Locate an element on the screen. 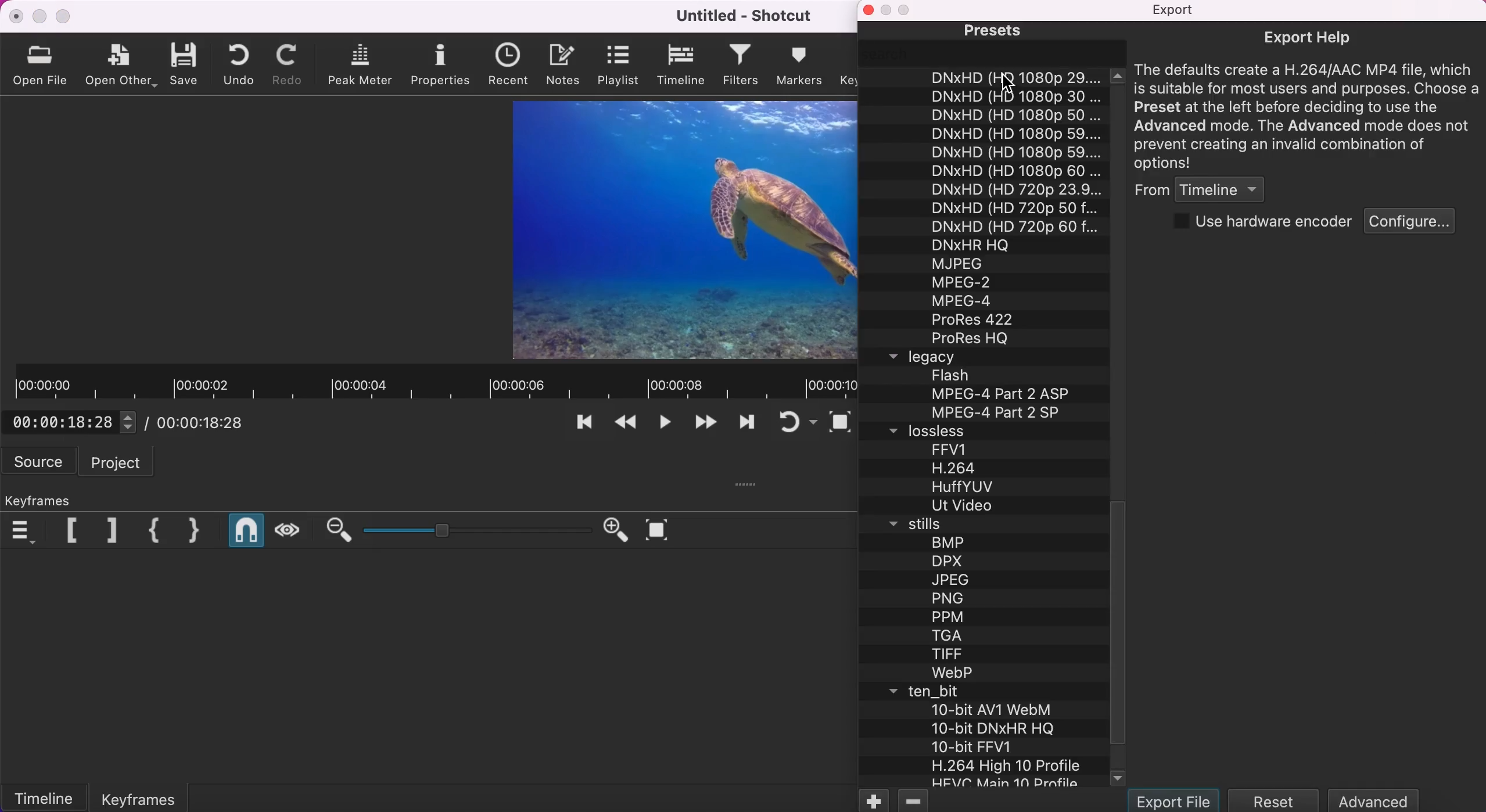  snap is located at coordinates (242, 530).